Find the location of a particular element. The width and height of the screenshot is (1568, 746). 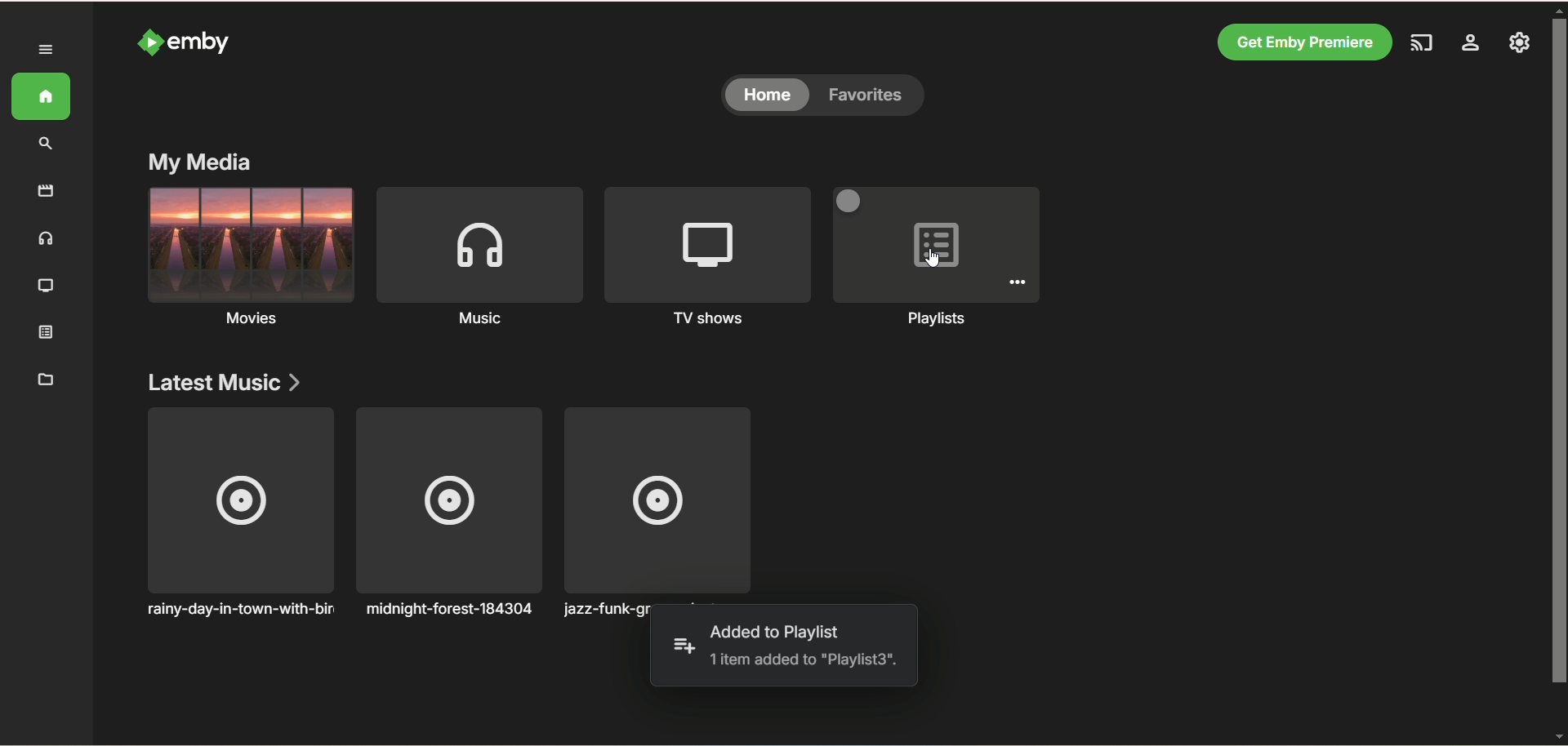

TV shows is located at coordinates (47, 287).